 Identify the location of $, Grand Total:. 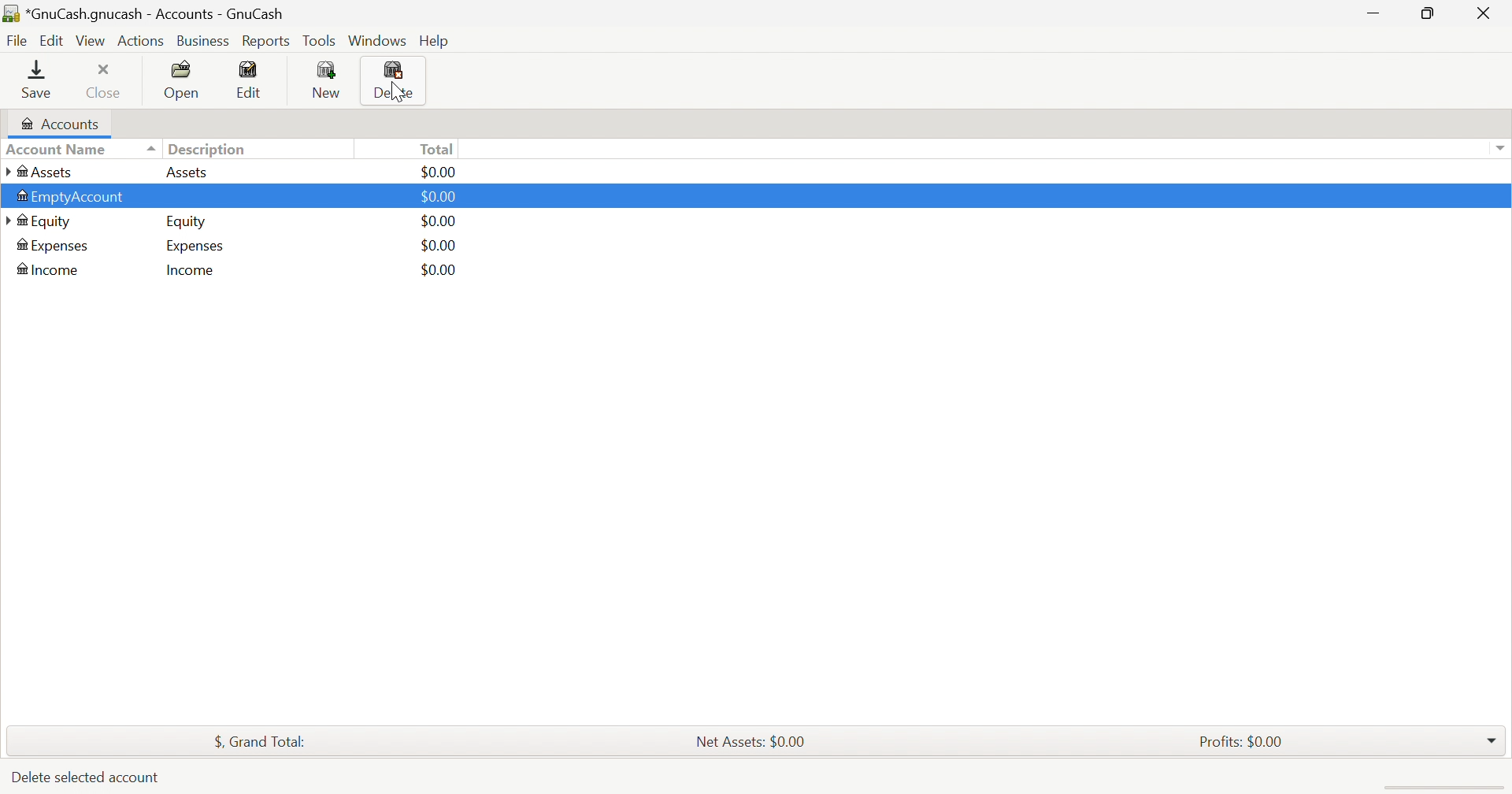
(258, 741).